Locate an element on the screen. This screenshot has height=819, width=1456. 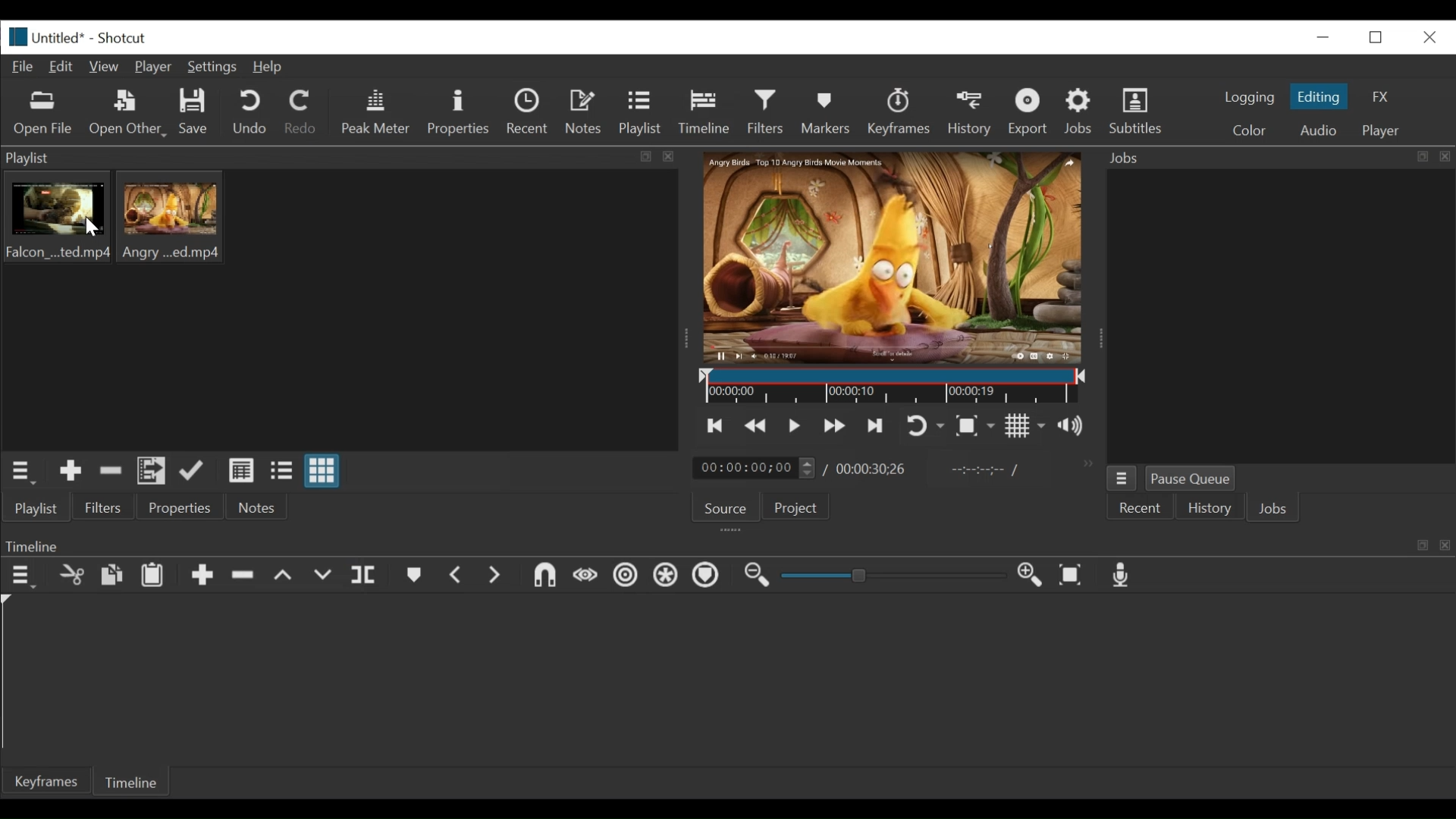
split at playhead is located at coordinates (366, 576).